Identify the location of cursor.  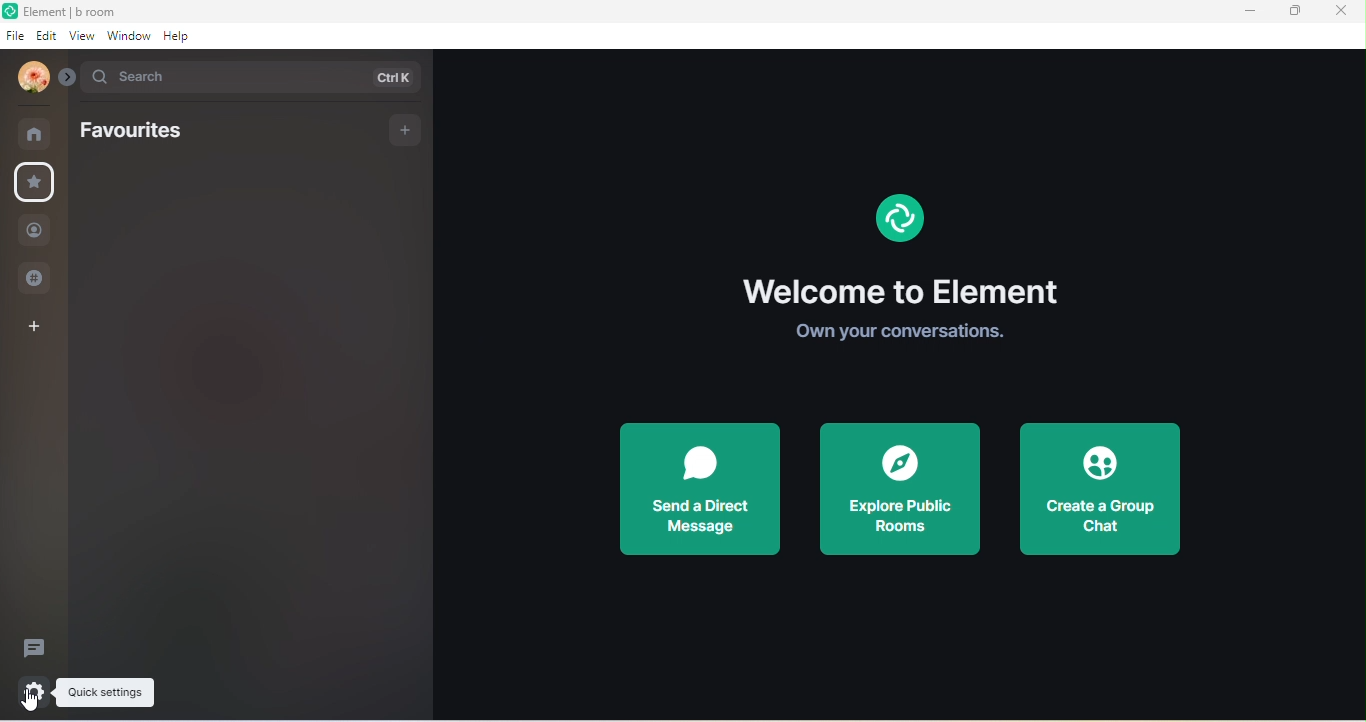
(28, 704).